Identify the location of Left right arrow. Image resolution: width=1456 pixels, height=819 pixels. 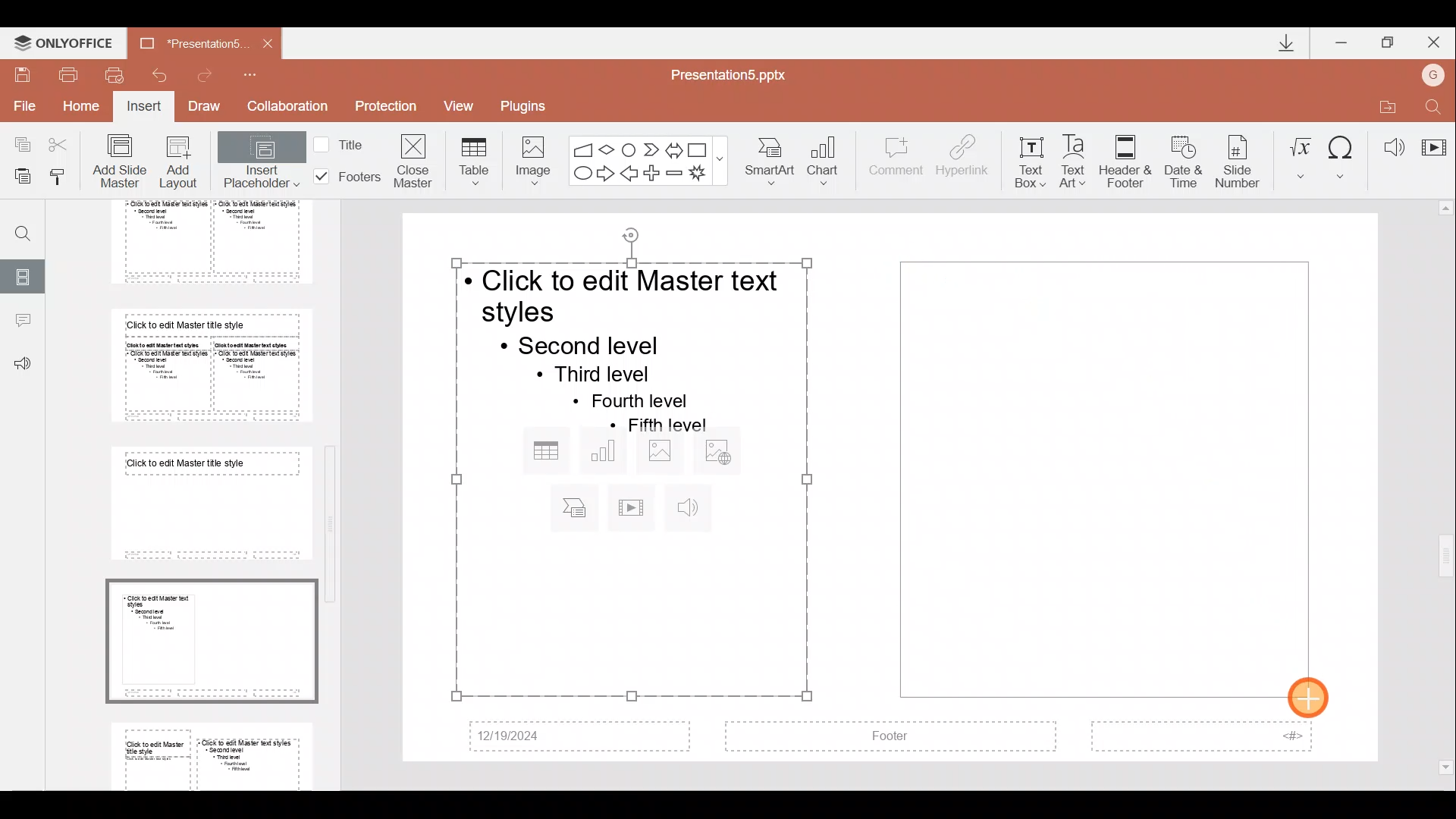
(673, 147).